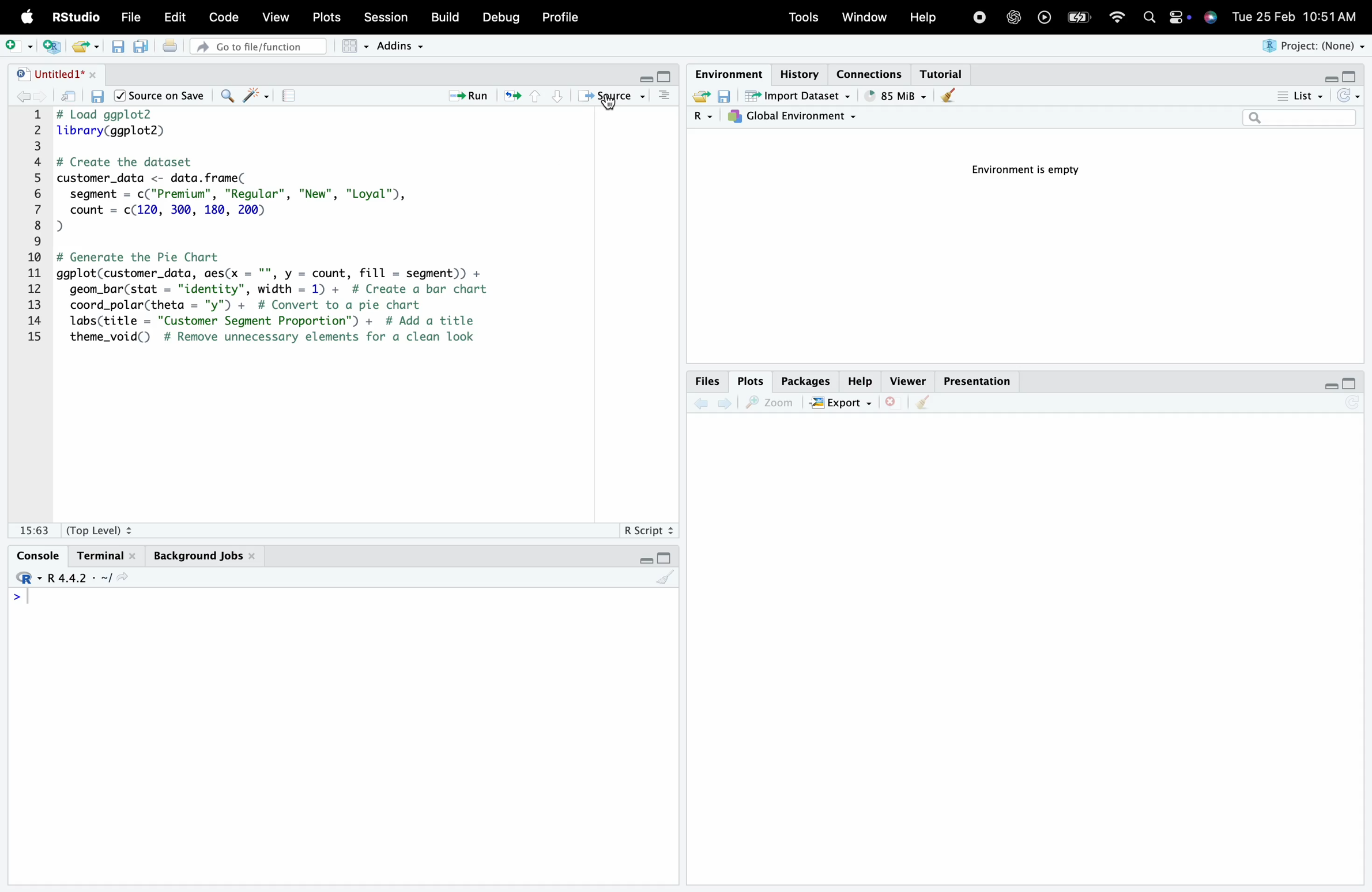 The image size is (1372, 892). I want to click on more, so click(666, 99).